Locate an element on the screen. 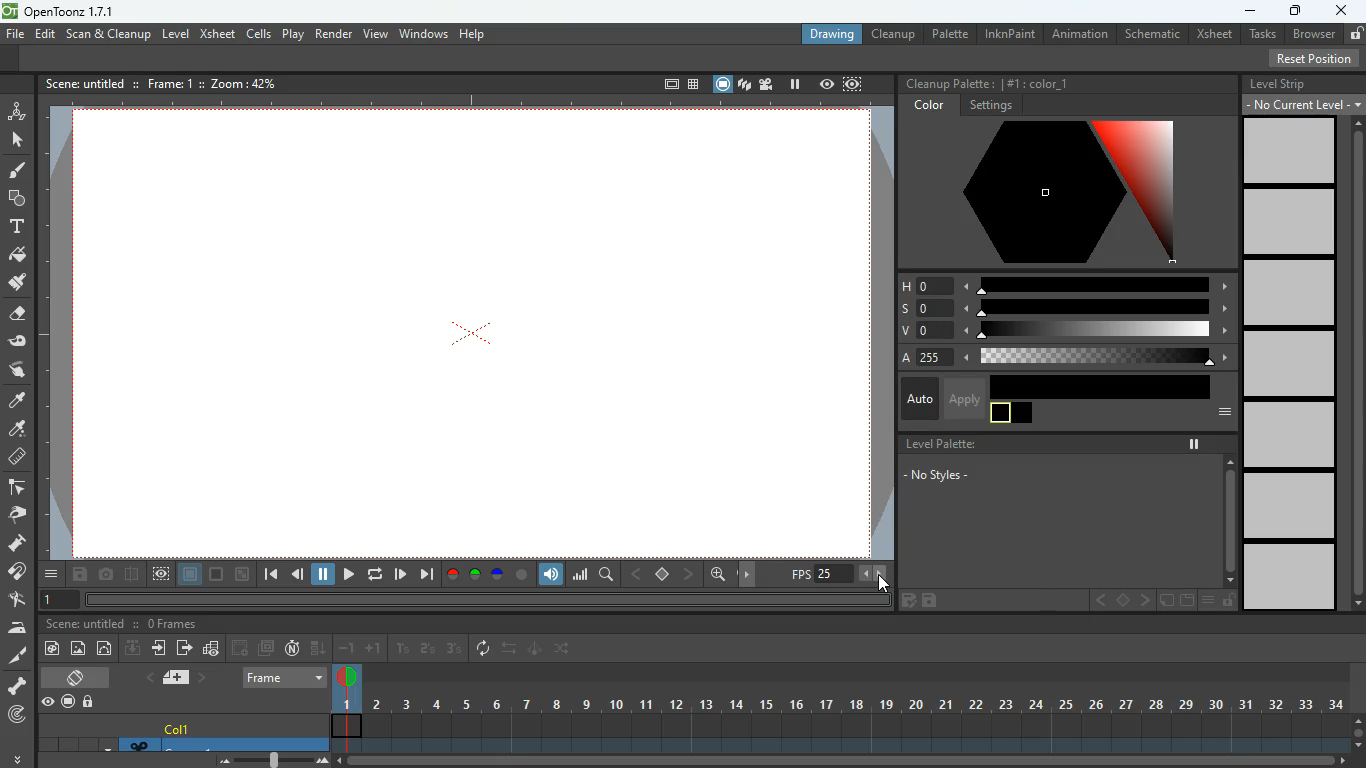  erase is located at coordinates (19, 314).